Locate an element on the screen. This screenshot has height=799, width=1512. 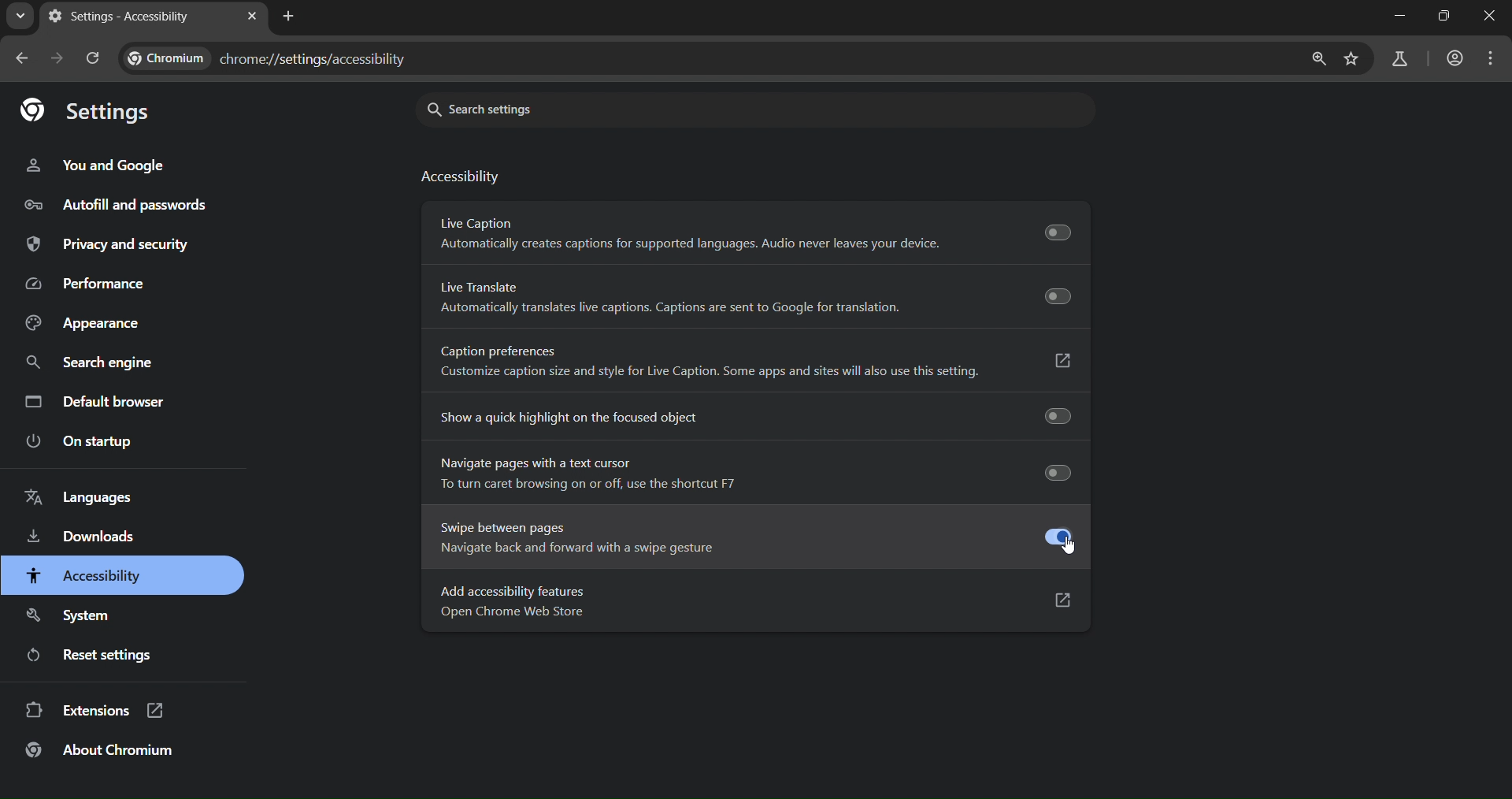
go forward one page is located at coordinates (60, 61).